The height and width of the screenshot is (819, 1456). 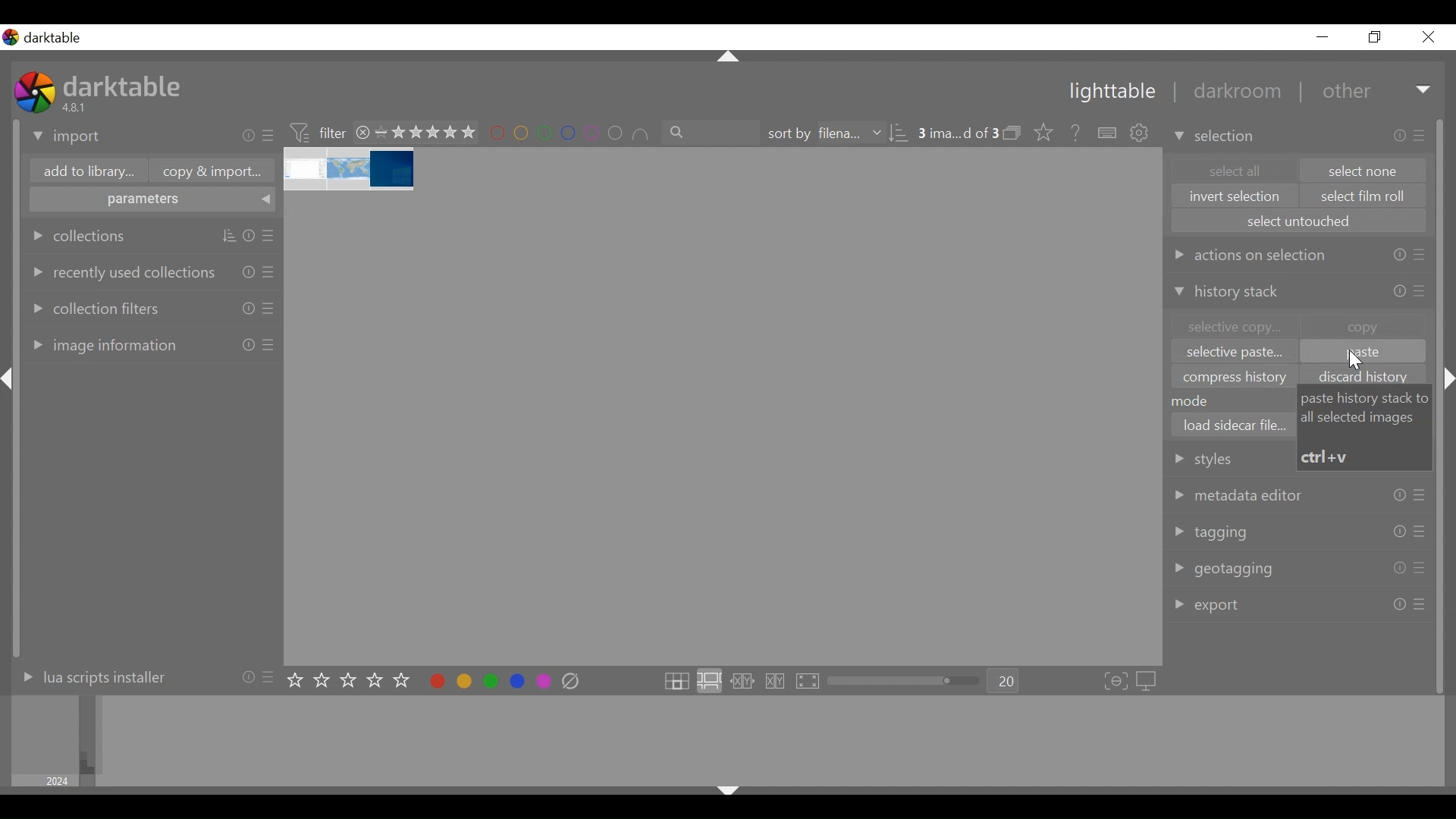 What do you see at coordinates (899, 133) in the screenshot?
I see `sorting` at bounding box center [899, 133].